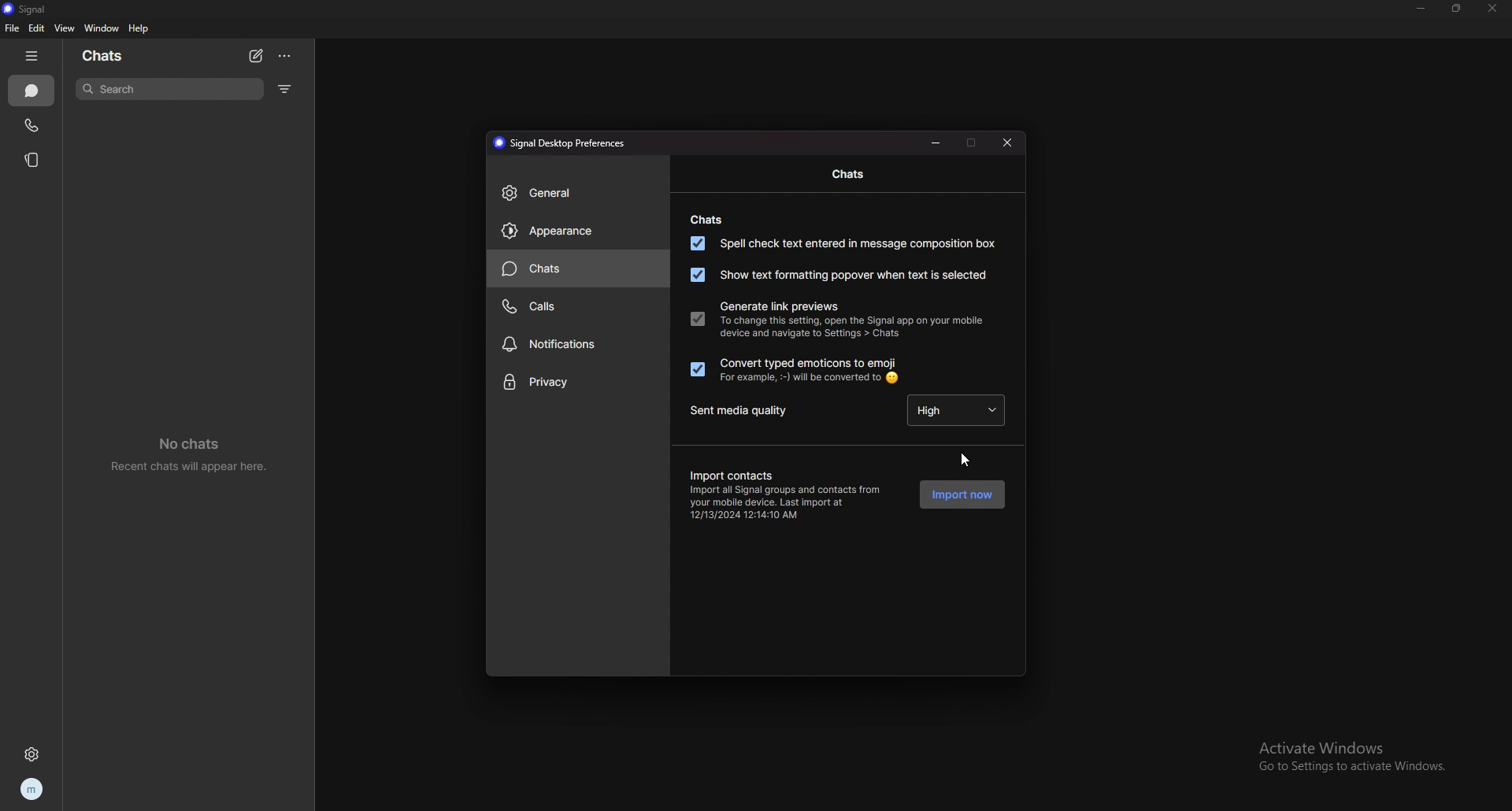 The height and width of the screenshot is (811, 1512). Describe the element at coordinates (31, 91) in the screenshot. I see `chats` at that location.